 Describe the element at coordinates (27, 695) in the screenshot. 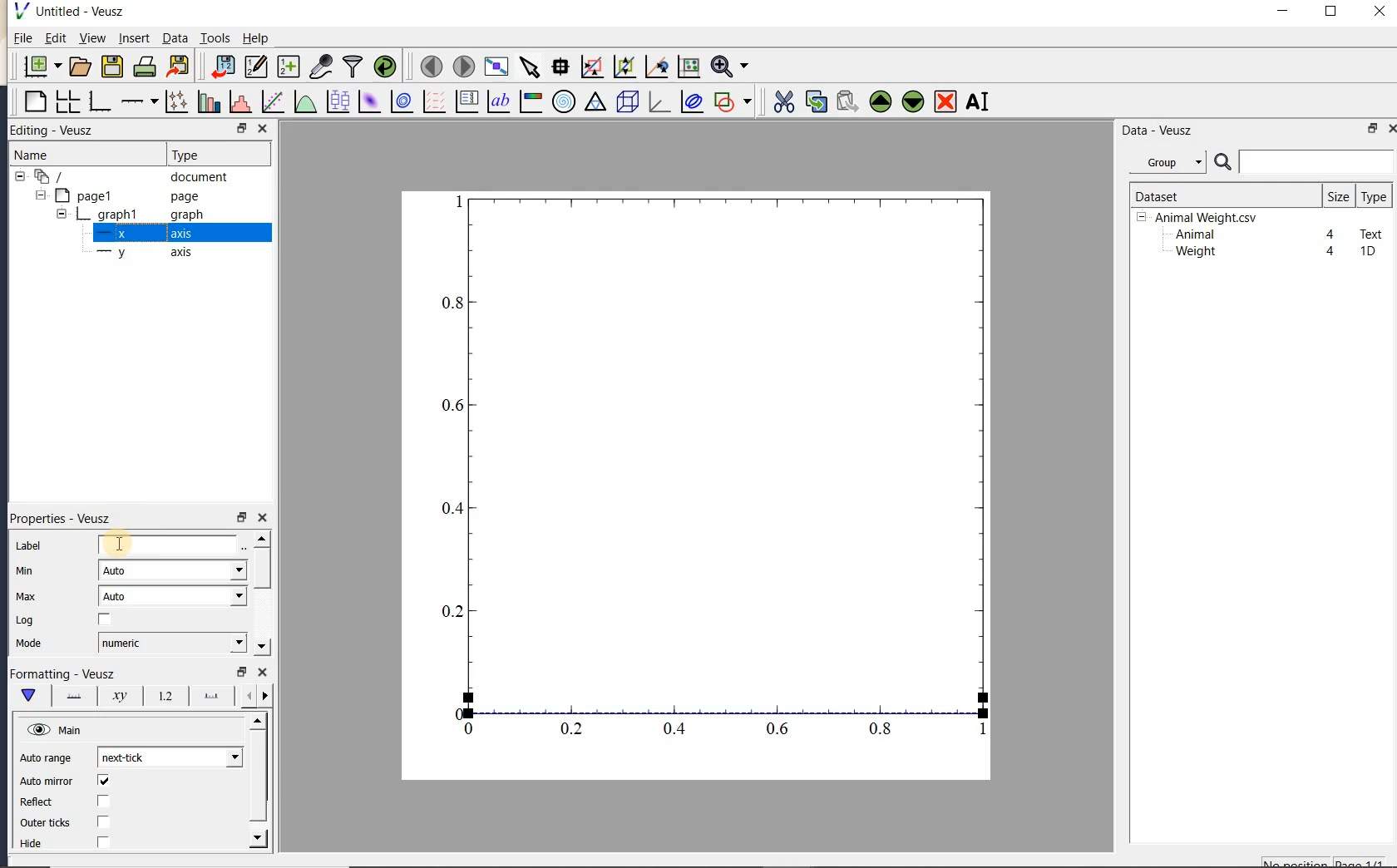

I see `main formatting` at that location.